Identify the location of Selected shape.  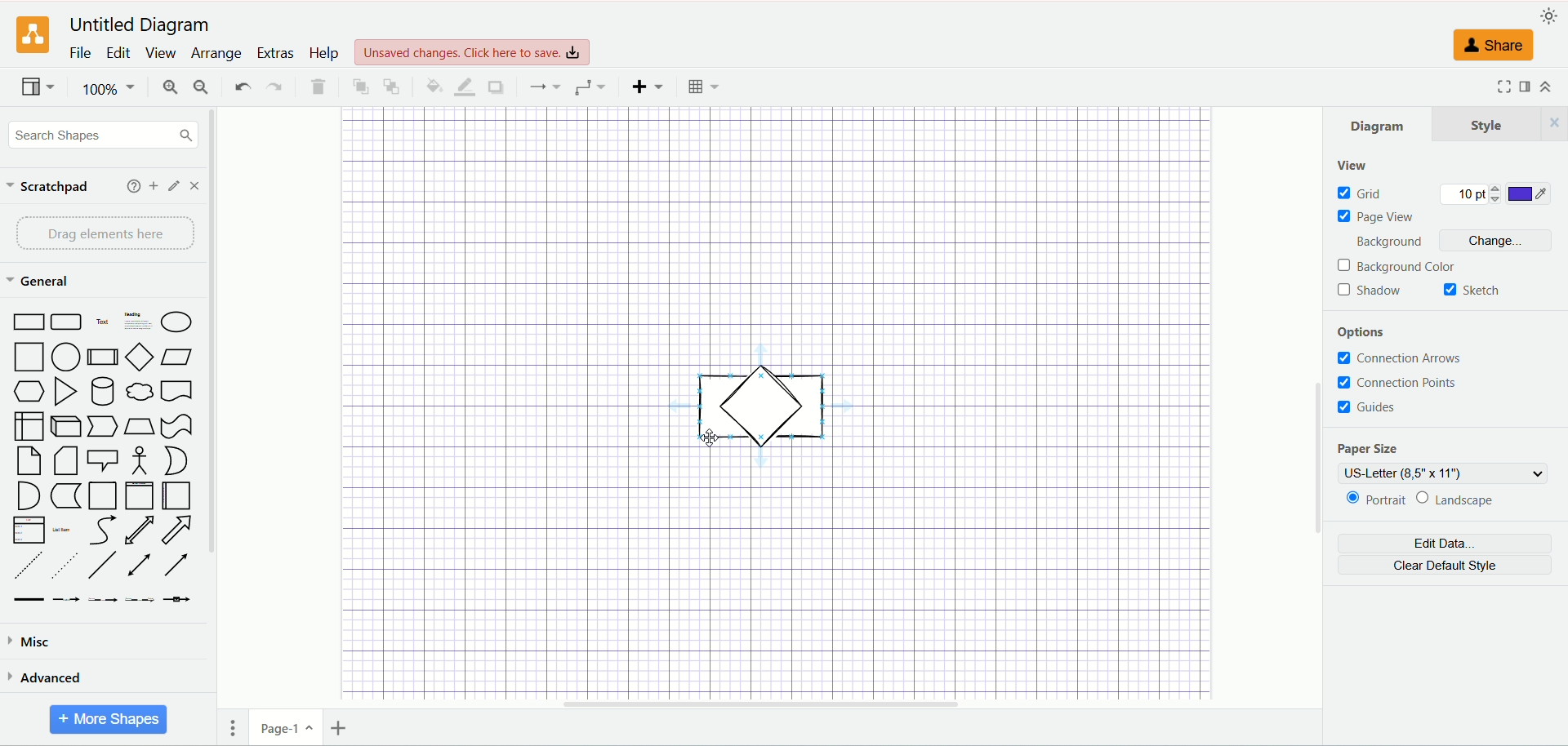
(759, 412).